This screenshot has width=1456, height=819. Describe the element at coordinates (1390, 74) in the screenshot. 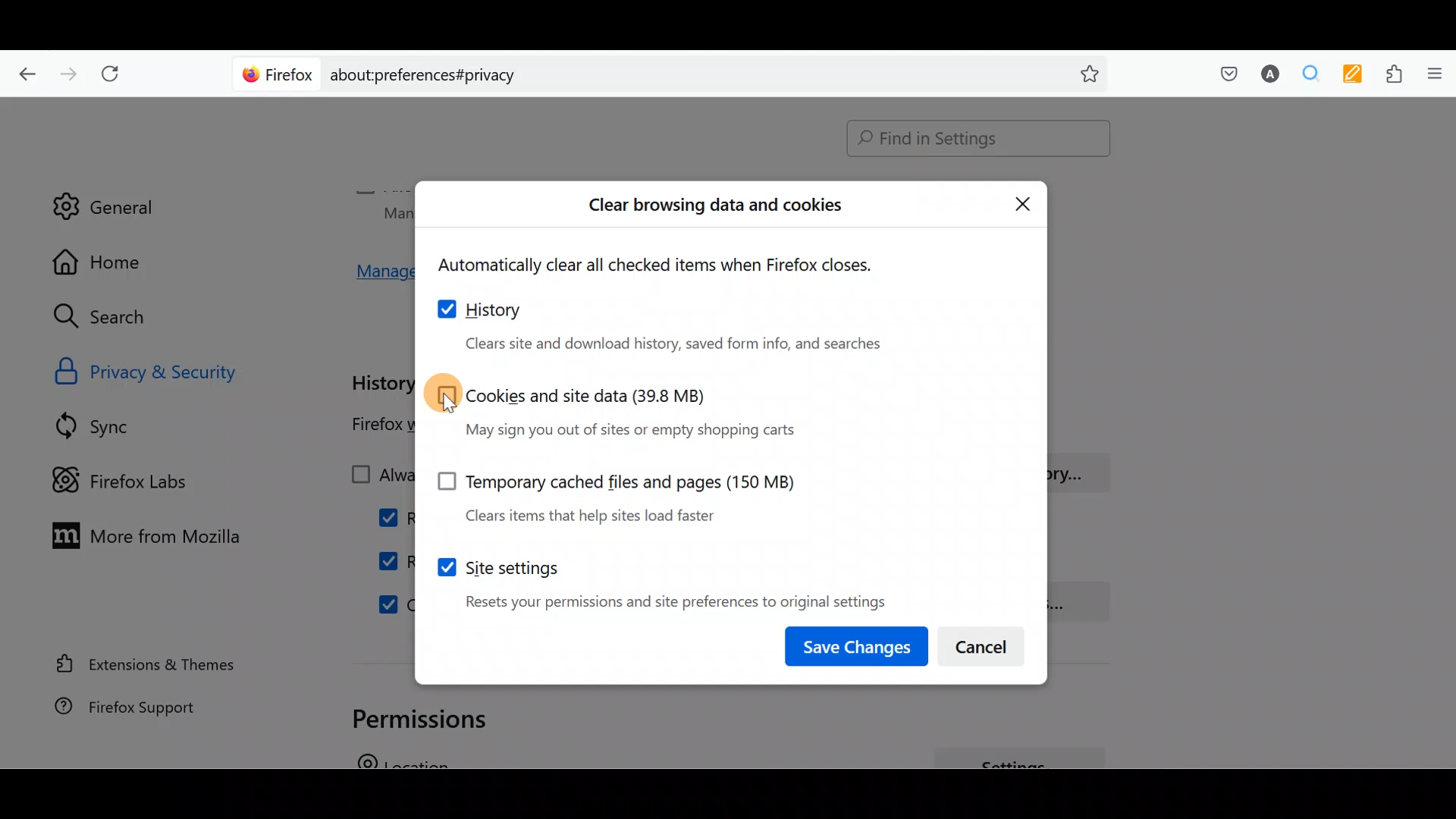

I see `Extensions` at that location.